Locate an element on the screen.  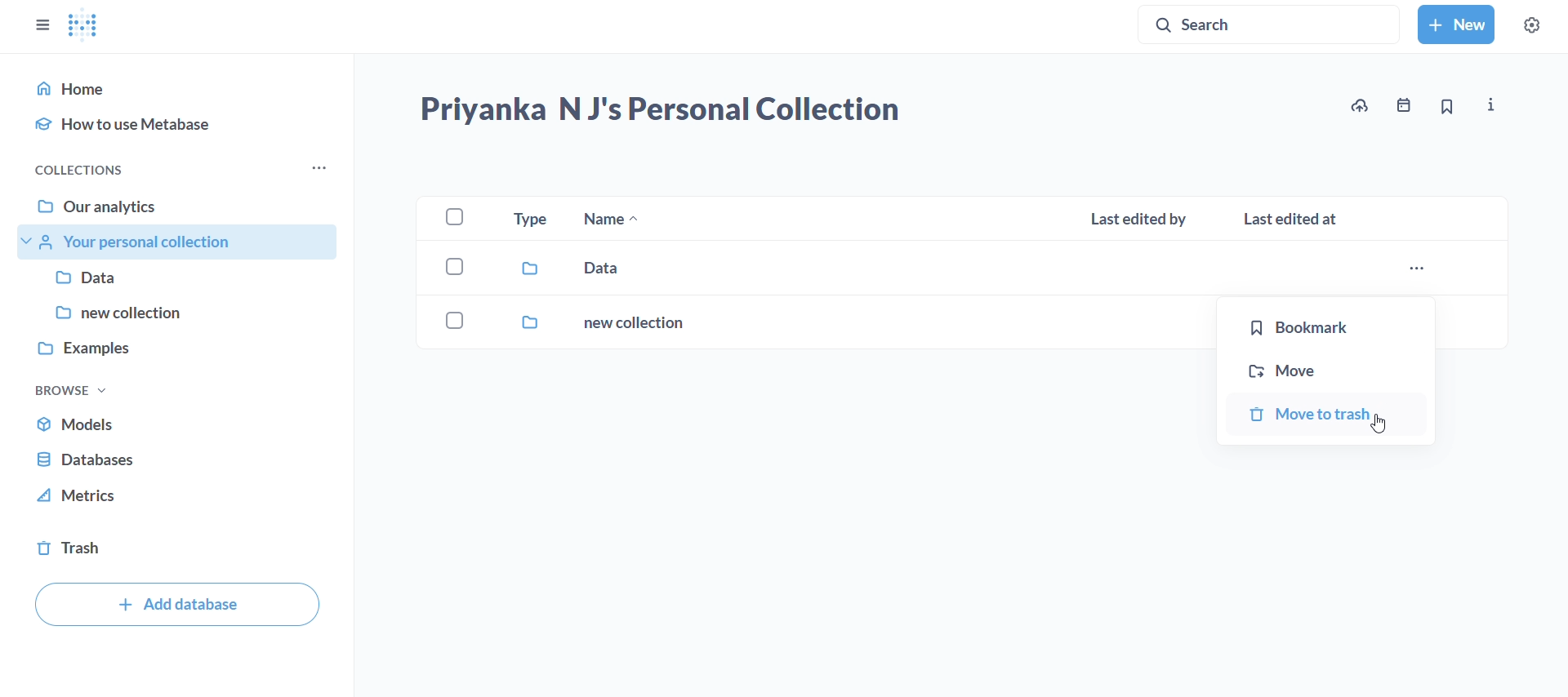
events is located at coordinates (1404, 107).